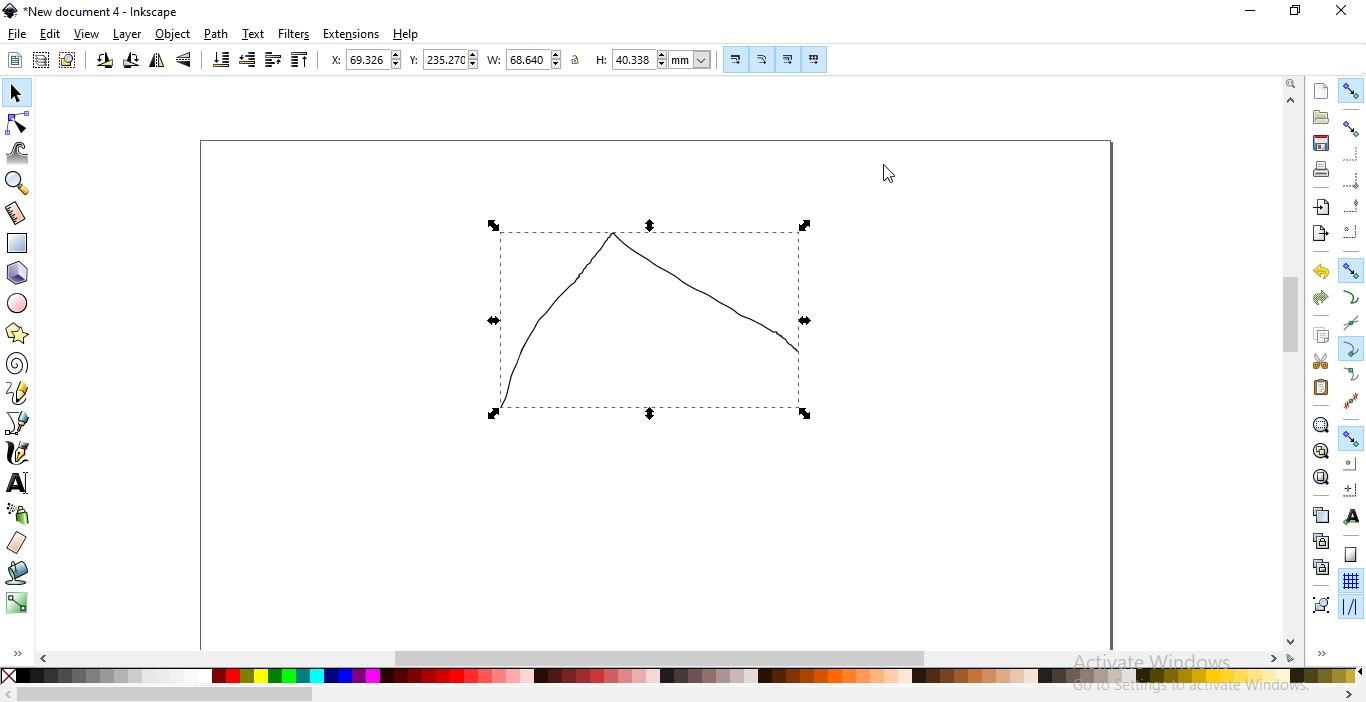  Describe the element at coordinates (18, 274) in the screenshot. I see `create 3d objects` at that location.